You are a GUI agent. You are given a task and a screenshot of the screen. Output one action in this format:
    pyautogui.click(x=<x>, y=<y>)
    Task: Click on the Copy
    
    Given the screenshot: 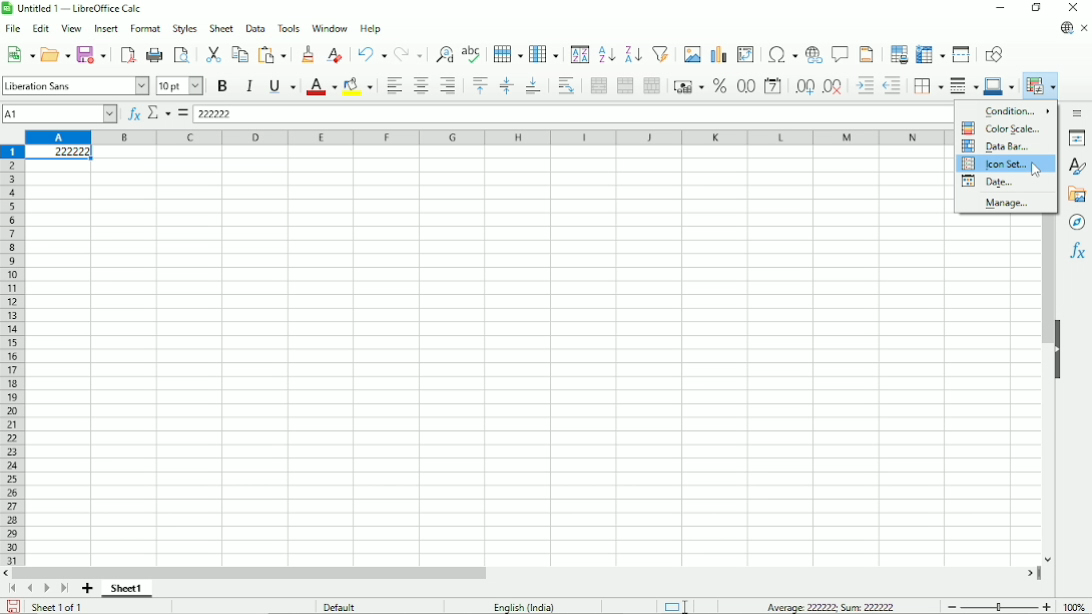 What is the action you would take?
    pyautogui.click(x=239, y=53)
    